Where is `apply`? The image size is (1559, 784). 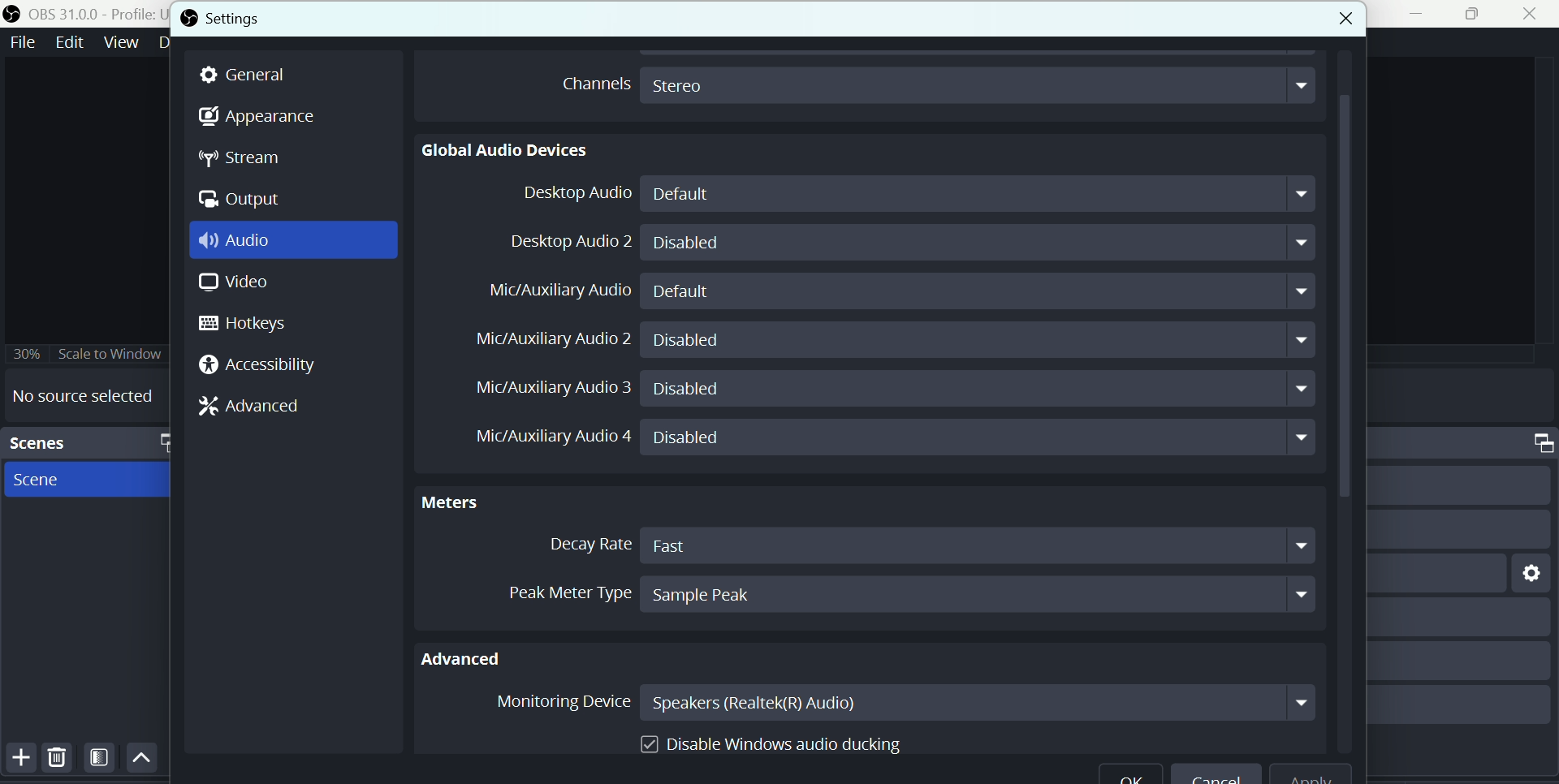
apply is located at coordinates (1320, 775).